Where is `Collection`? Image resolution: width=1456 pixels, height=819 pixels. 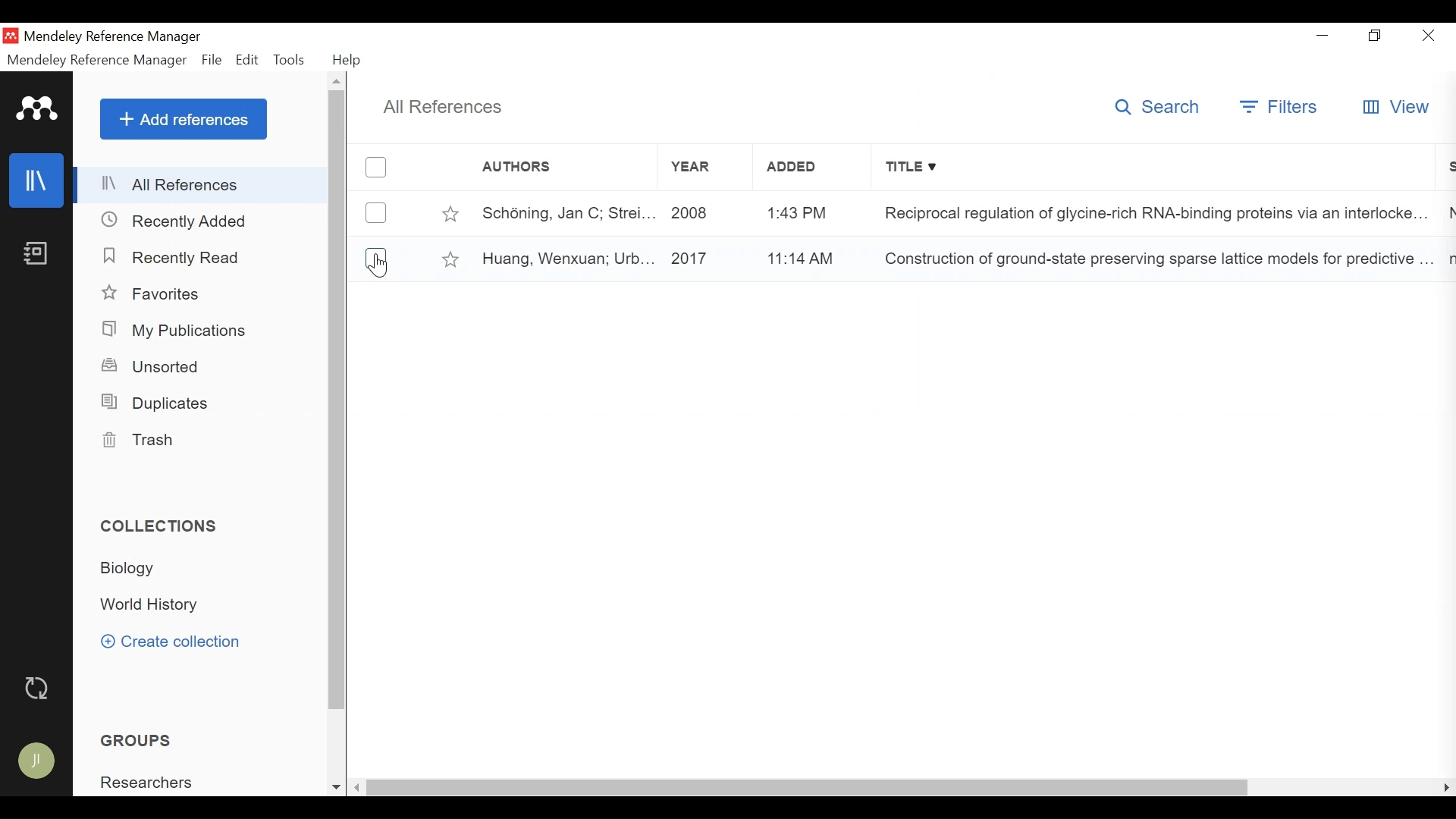
Collection is located at coordinates (133, 570).